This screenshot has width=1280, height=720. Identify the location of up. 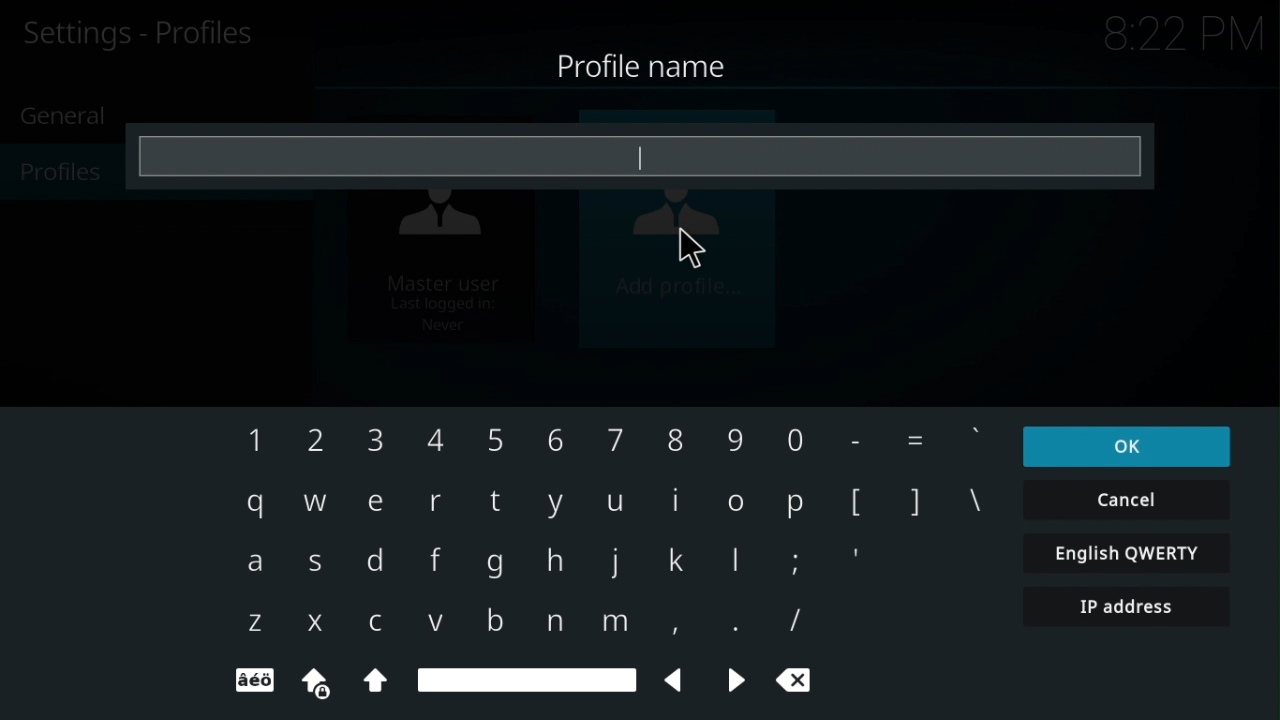
(375, 680).